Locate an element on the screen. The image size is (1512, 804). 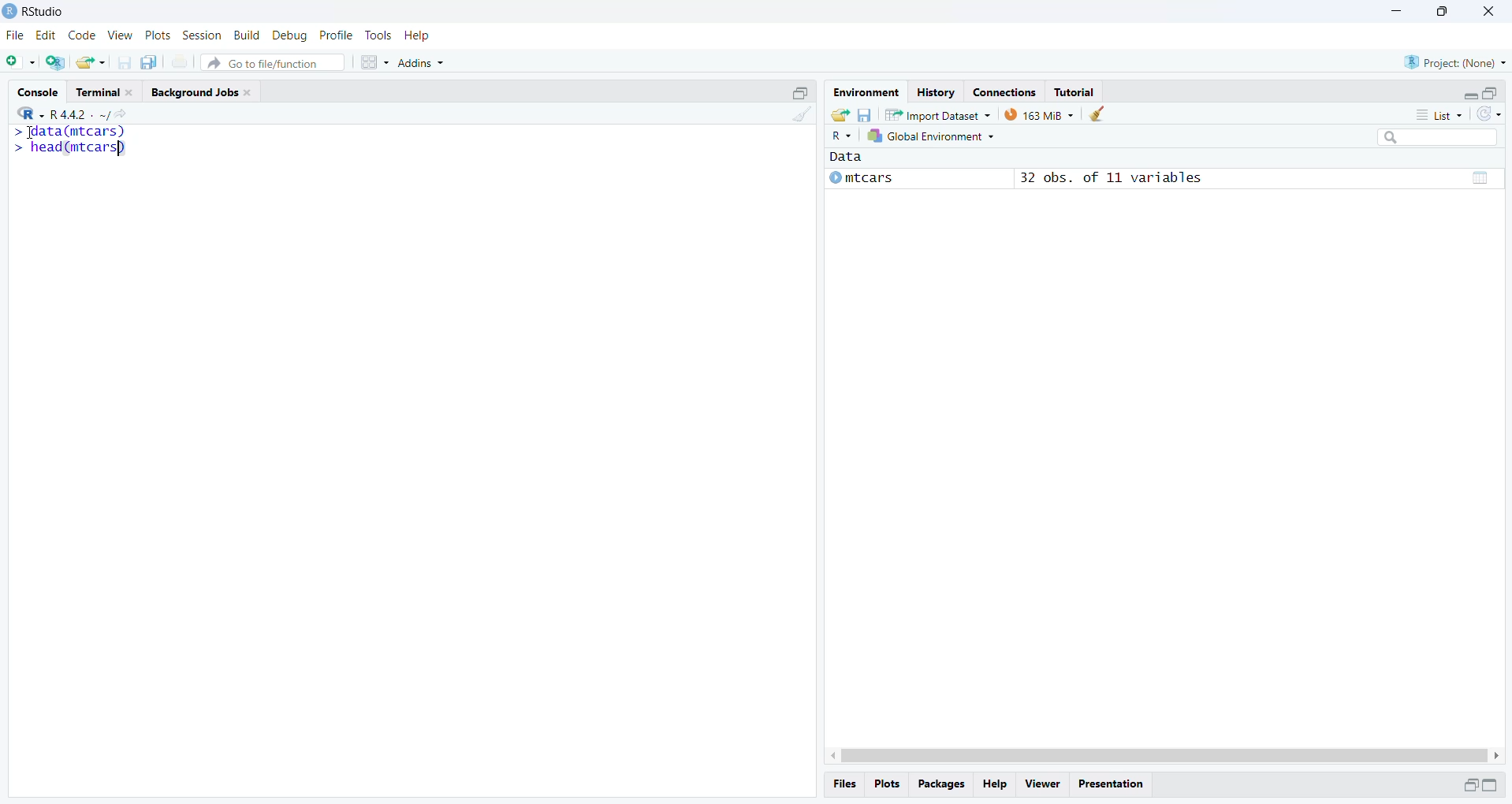
list is located at coordinates (1442, 115).